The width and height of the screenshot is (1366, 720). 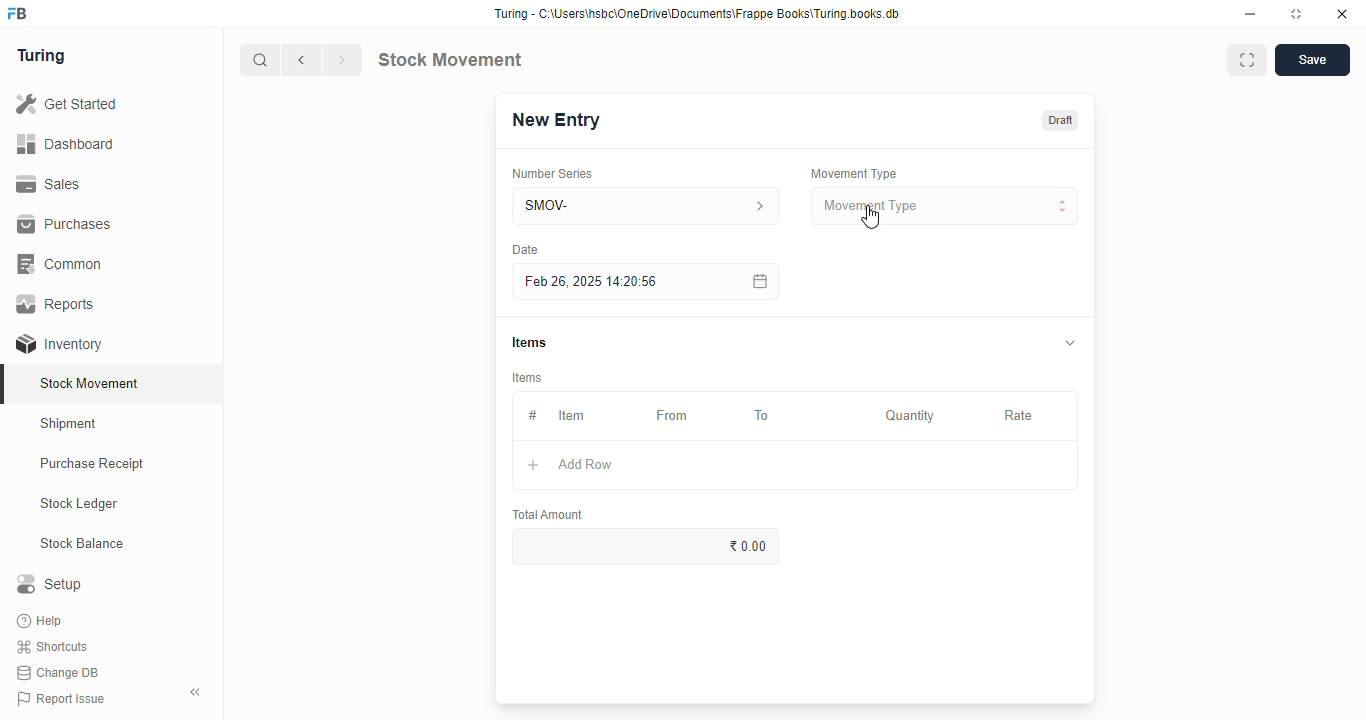 I want to click on Turing - C:\Users\nsbc\OneDrive\Documents\Frappe Books\Turing books.db, so click(x=698, y=14).